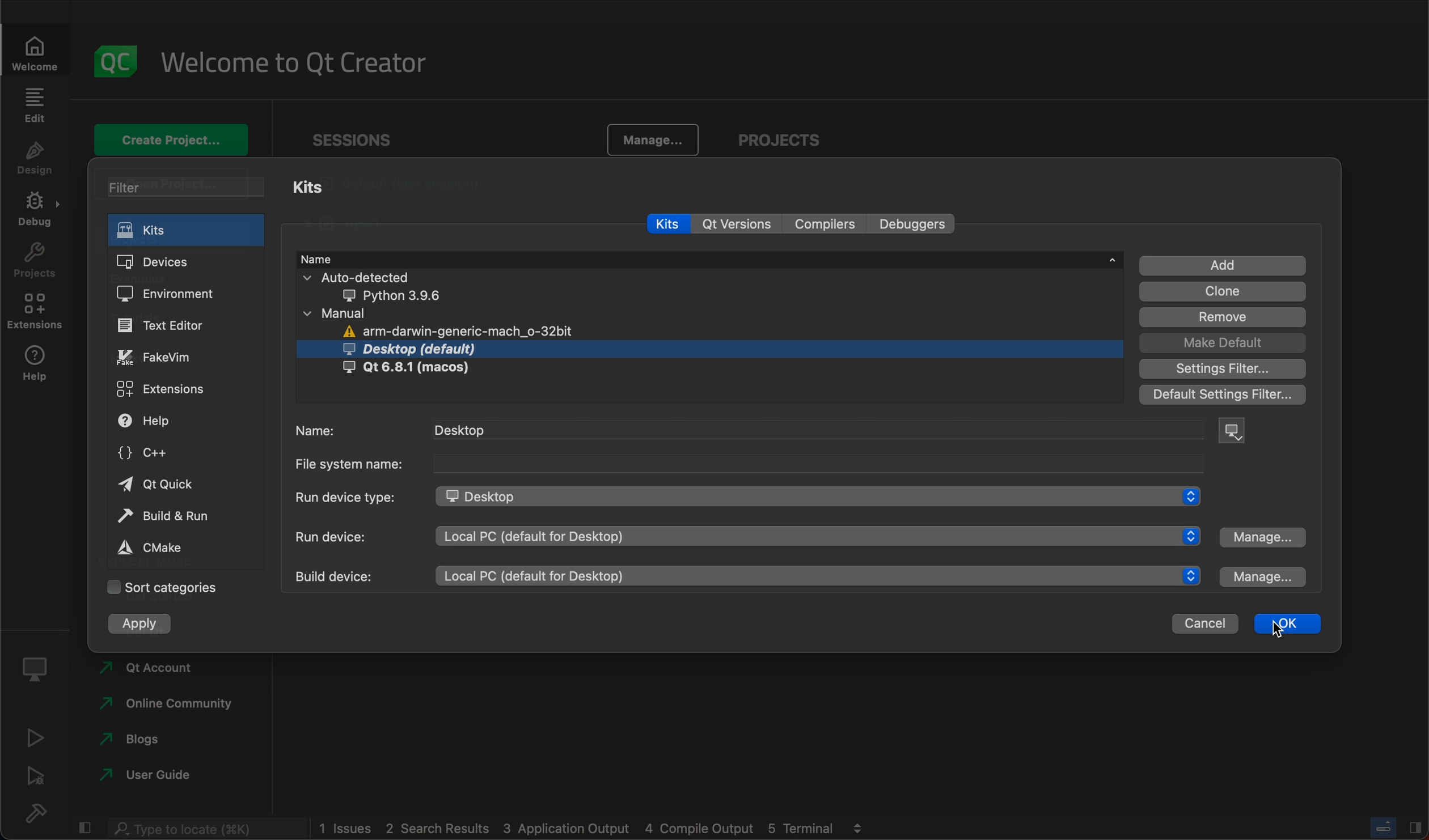 The height and width of the screenshot is (840, 1429). What do you see at coordinates (813, 537) in the screenshot?
I see `local PC (default for desktop)` at bounding box center [813, 537].